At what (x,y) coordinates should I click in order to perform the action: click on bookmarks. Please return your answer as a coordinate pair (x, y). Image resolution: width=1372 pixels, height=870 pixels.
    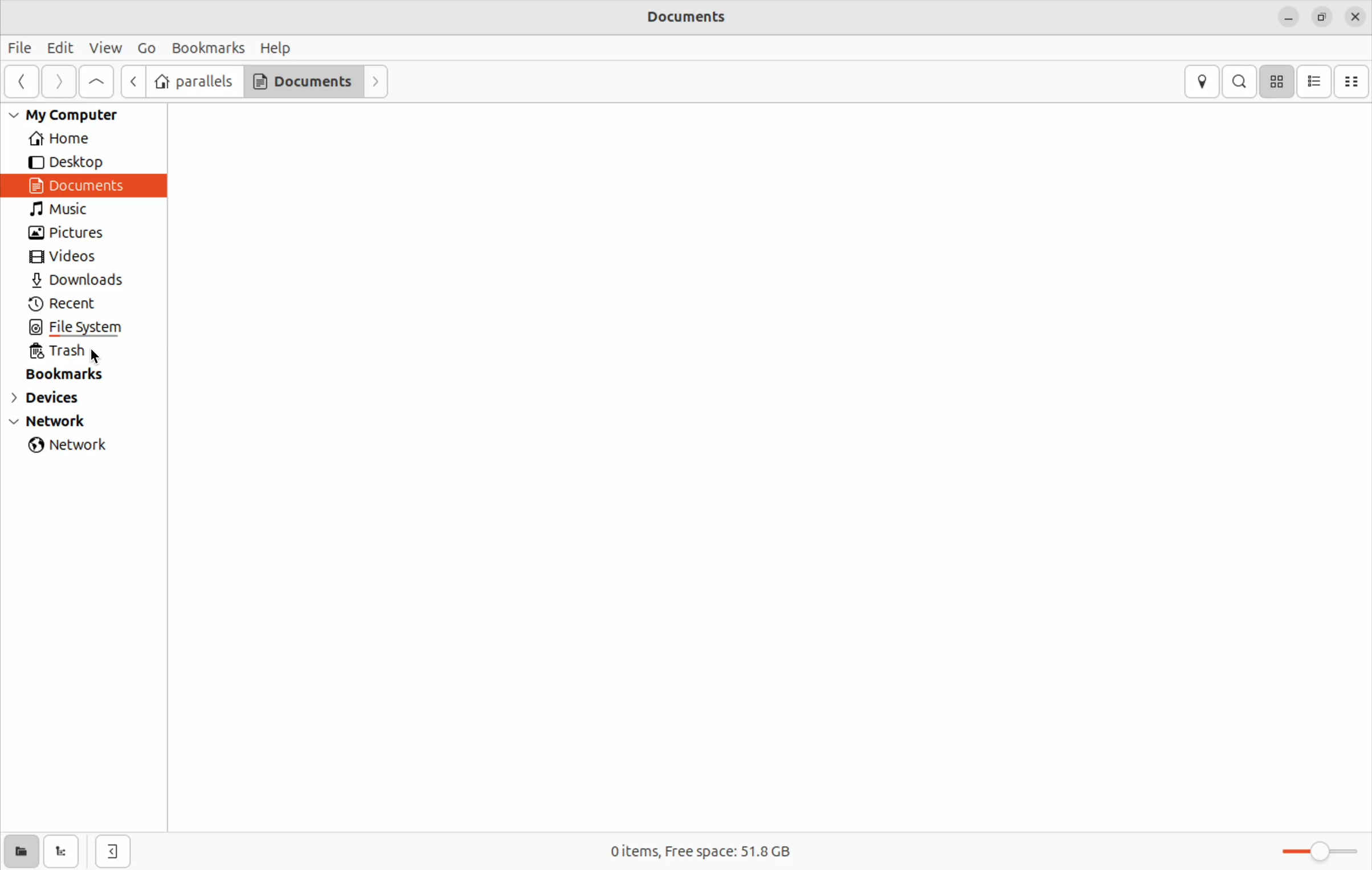
    Looking at the image, I should click on (74, 374).